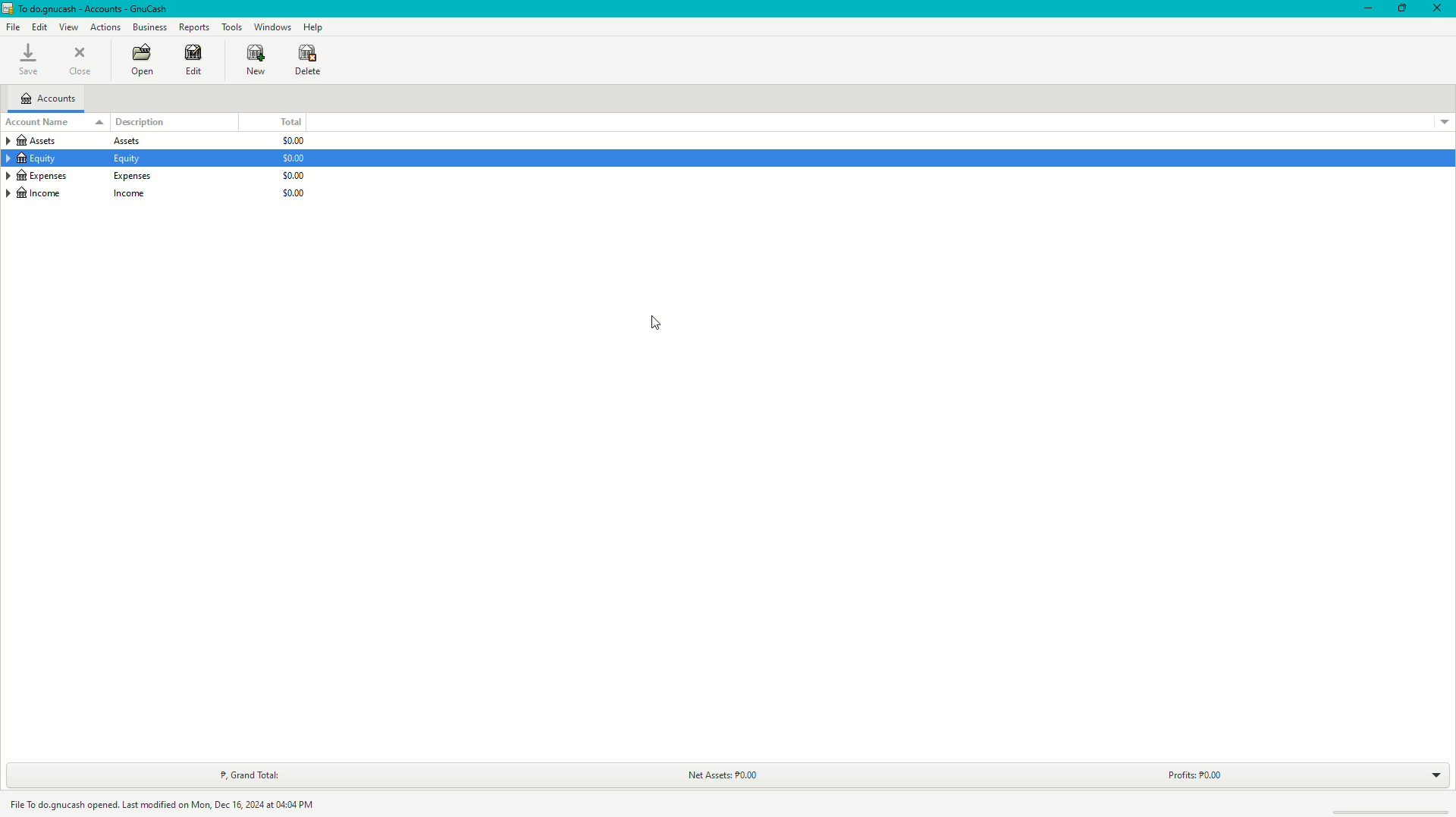 The height and width of the screenshot is (817, 1456). I want to click on Drop down, so click(1433, 777).